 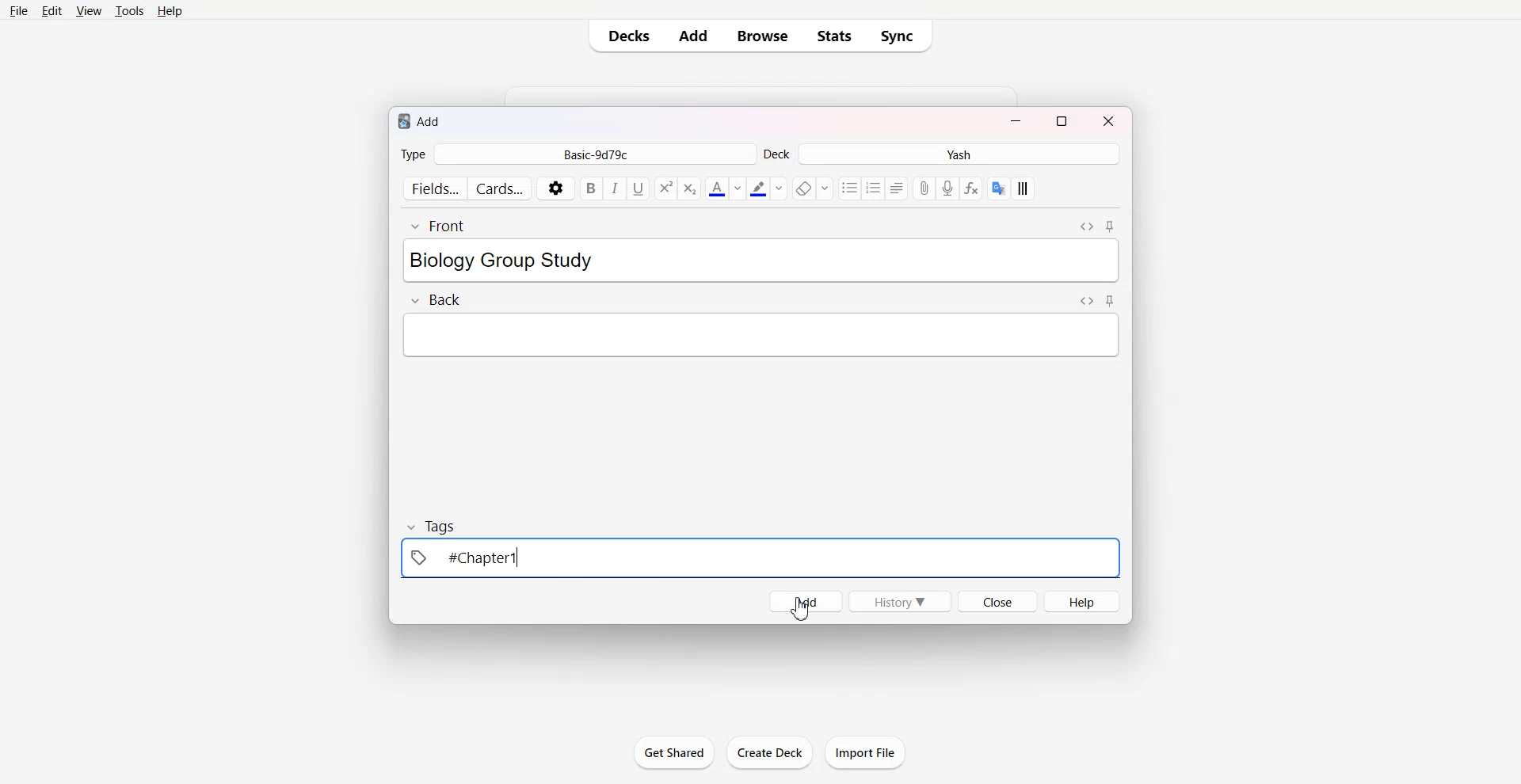 What do you see at coordinates (760, 335) in the screenshot?
I see `back input field` at bounding box center [760, 335].